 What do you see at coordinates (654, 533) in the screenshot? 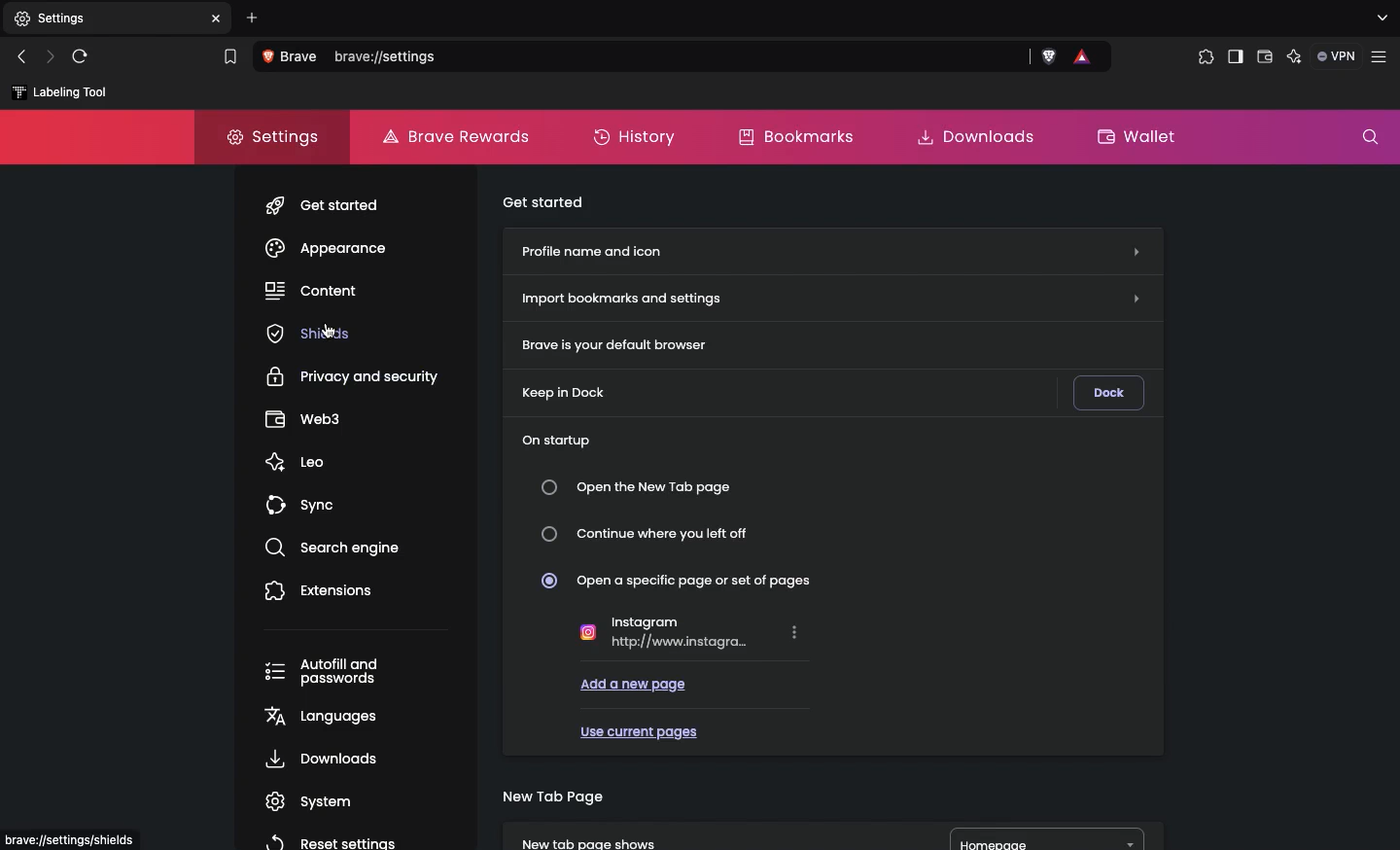
I see `Continue where you left off` at bounding box center [654, 533].